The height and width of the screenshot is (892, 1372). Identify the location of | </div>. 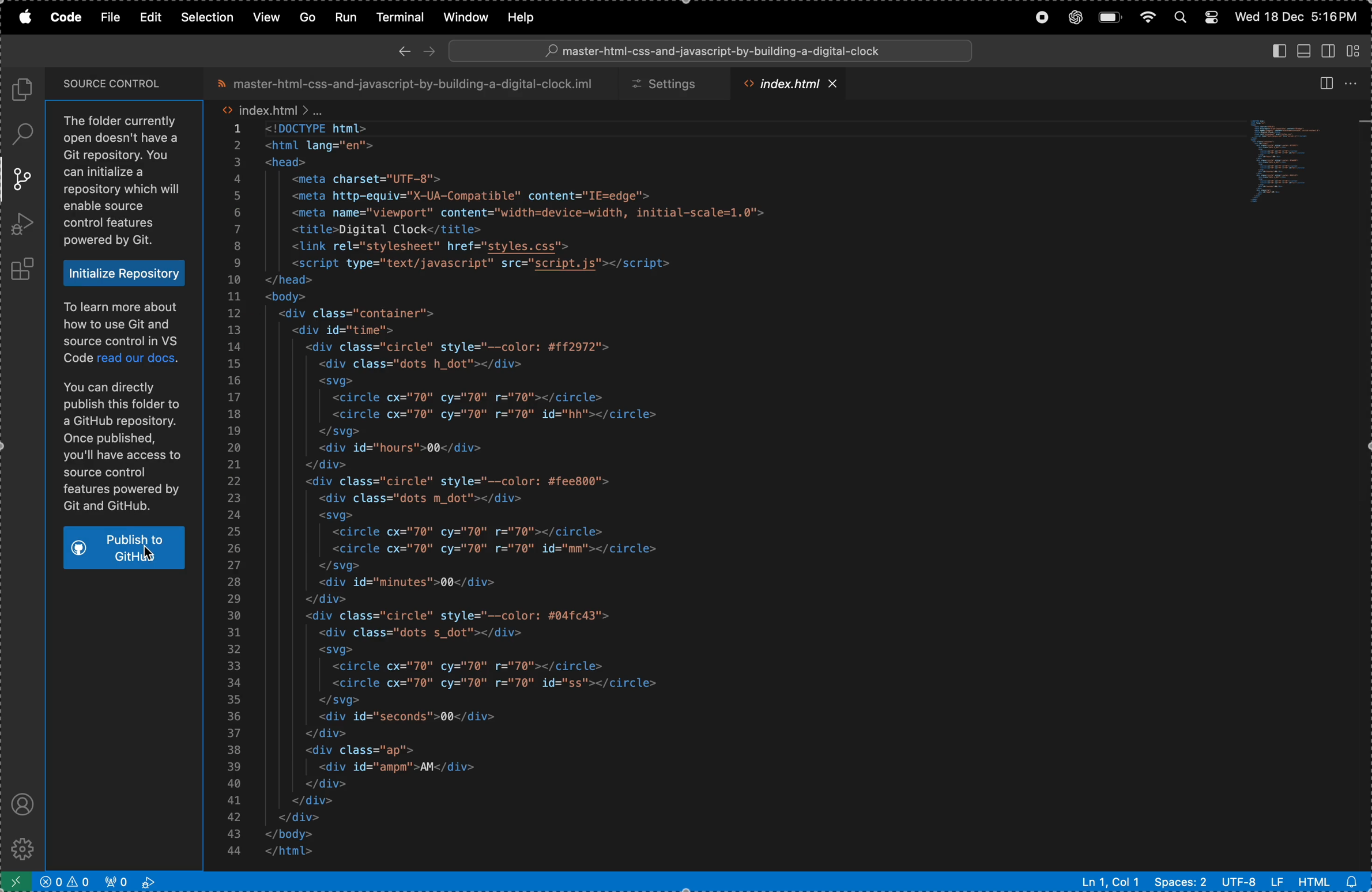
(319, 802).